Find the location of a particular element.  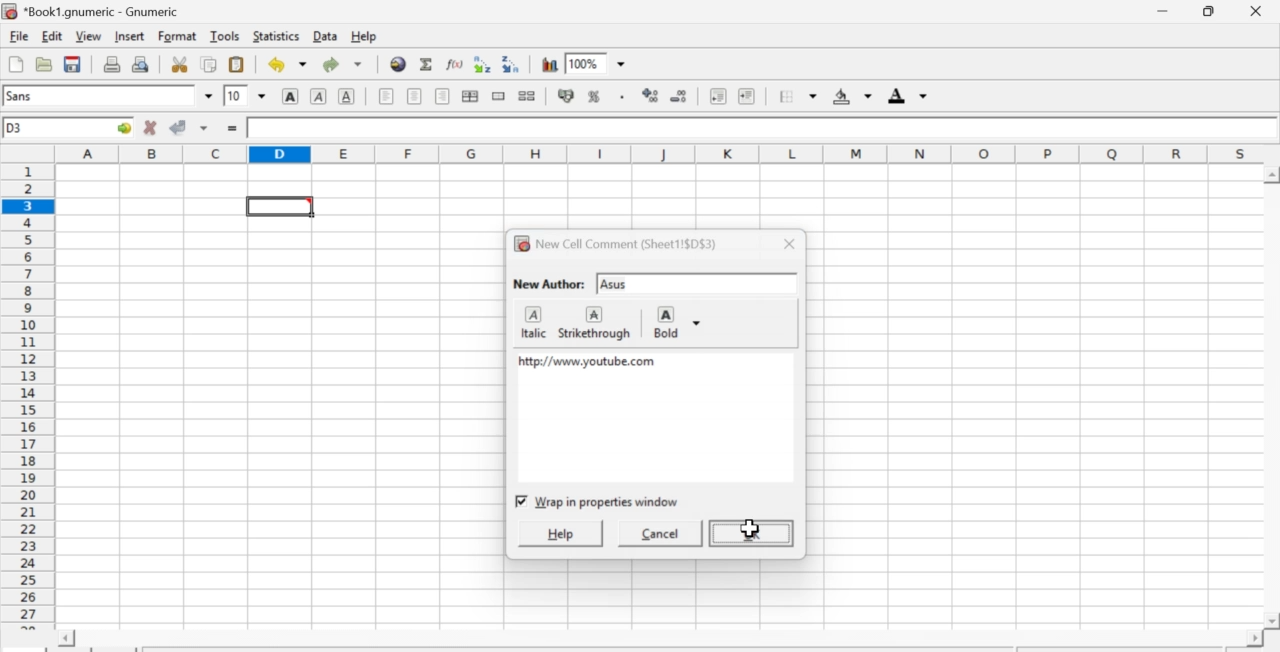

View is located at coordinates (88, 35).